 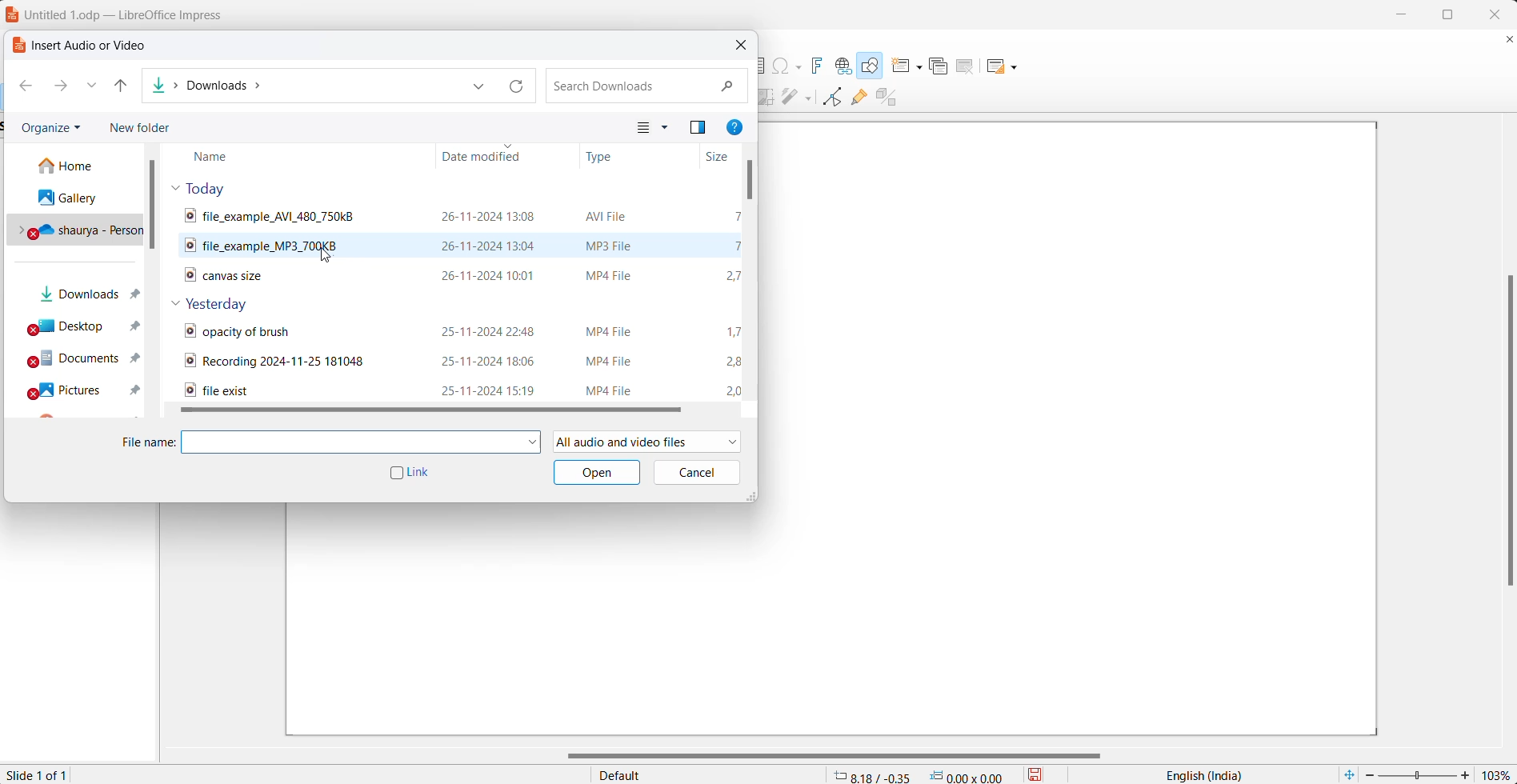 I want to click on horizontal scroll bar, so click(x=446, y=414).